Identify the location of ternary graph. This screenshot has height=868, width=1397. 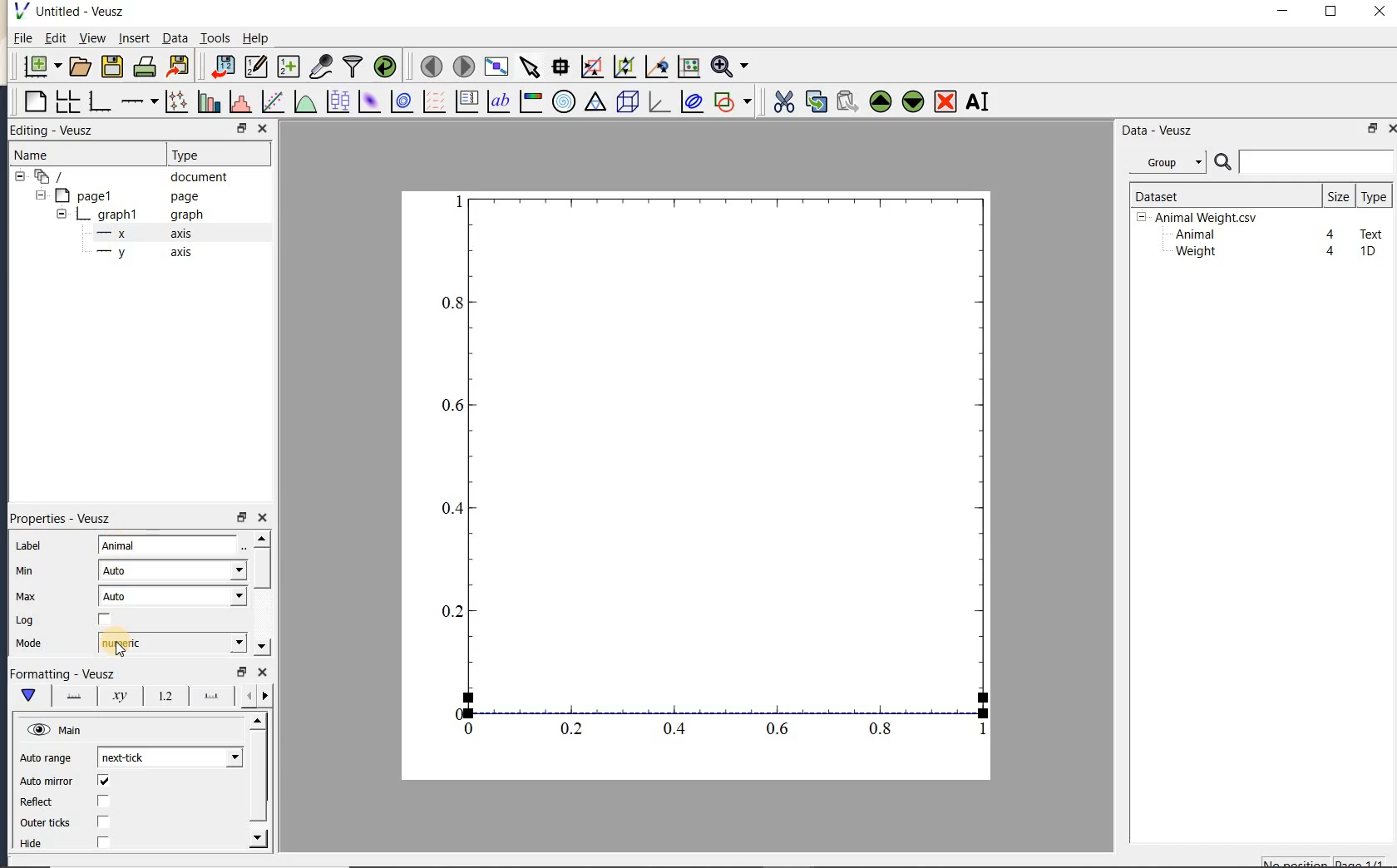
(595, 104).